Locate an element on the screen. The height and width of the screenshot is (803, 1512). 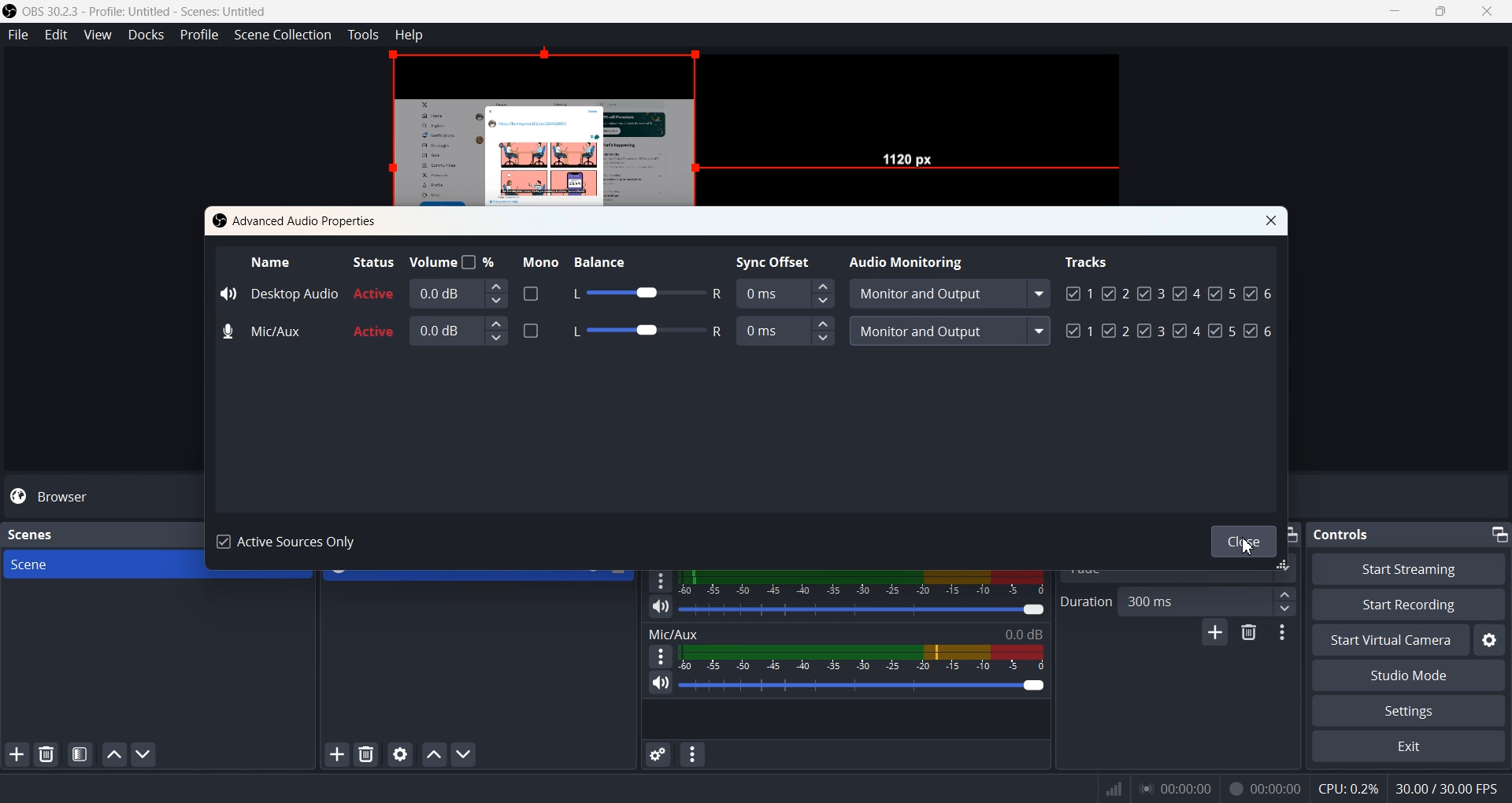
Advanced Audio Properties is located at coordinates (298, 220).